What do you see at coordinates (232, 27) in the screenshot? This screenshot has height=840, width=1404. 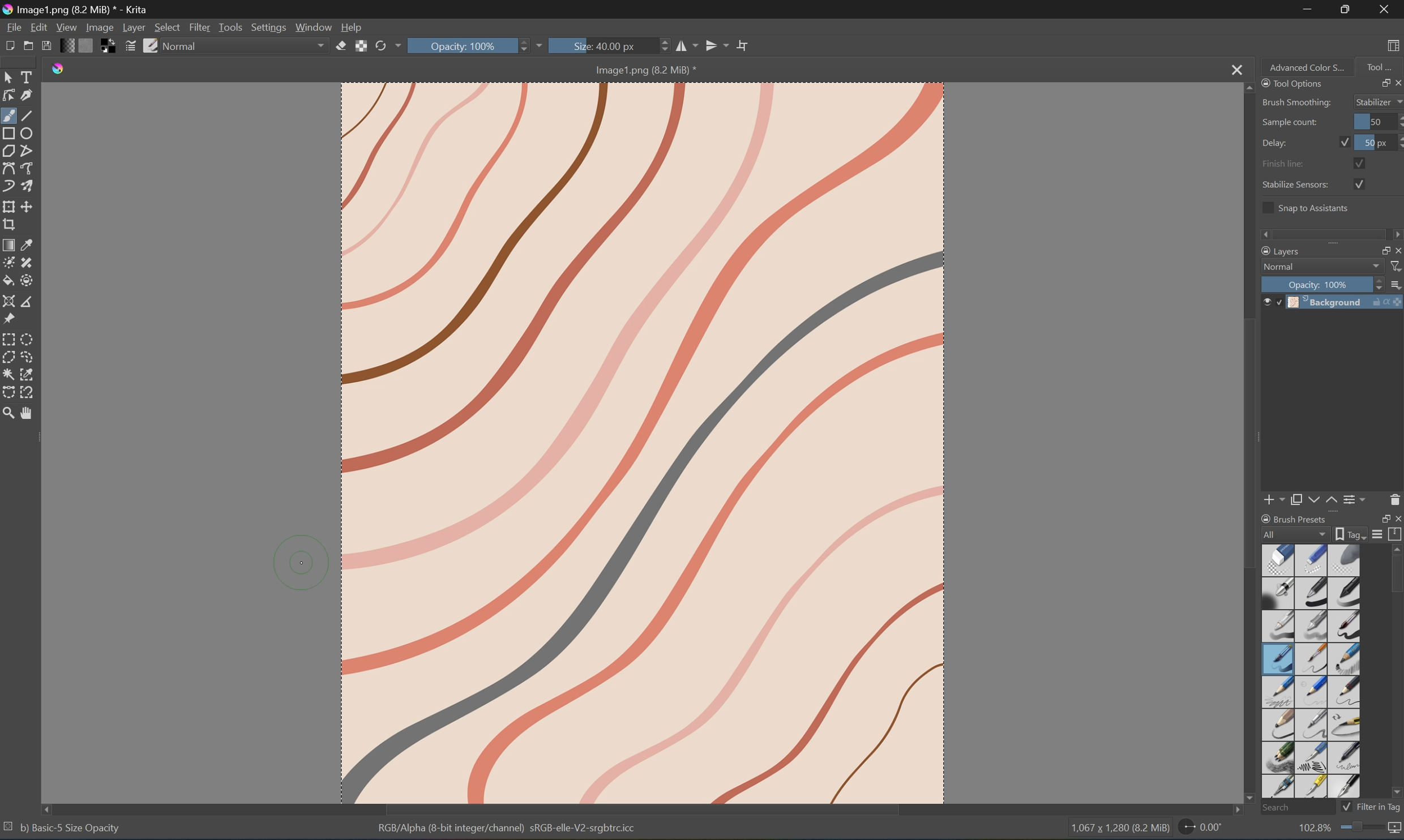 I see `Tools` at bounding box center [232, 27].